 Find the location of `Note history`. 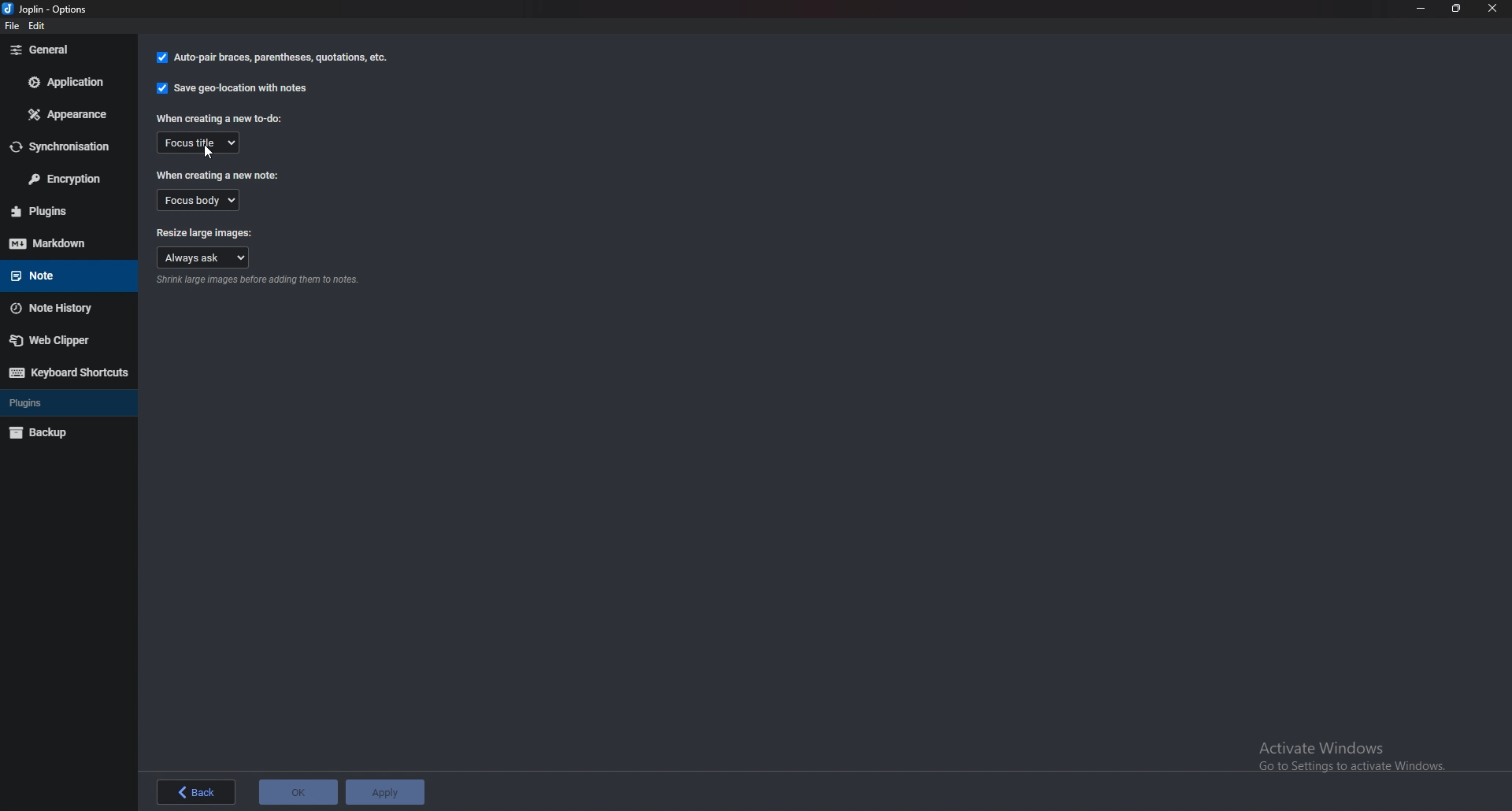

Note history is located at coordinates (66, 309).